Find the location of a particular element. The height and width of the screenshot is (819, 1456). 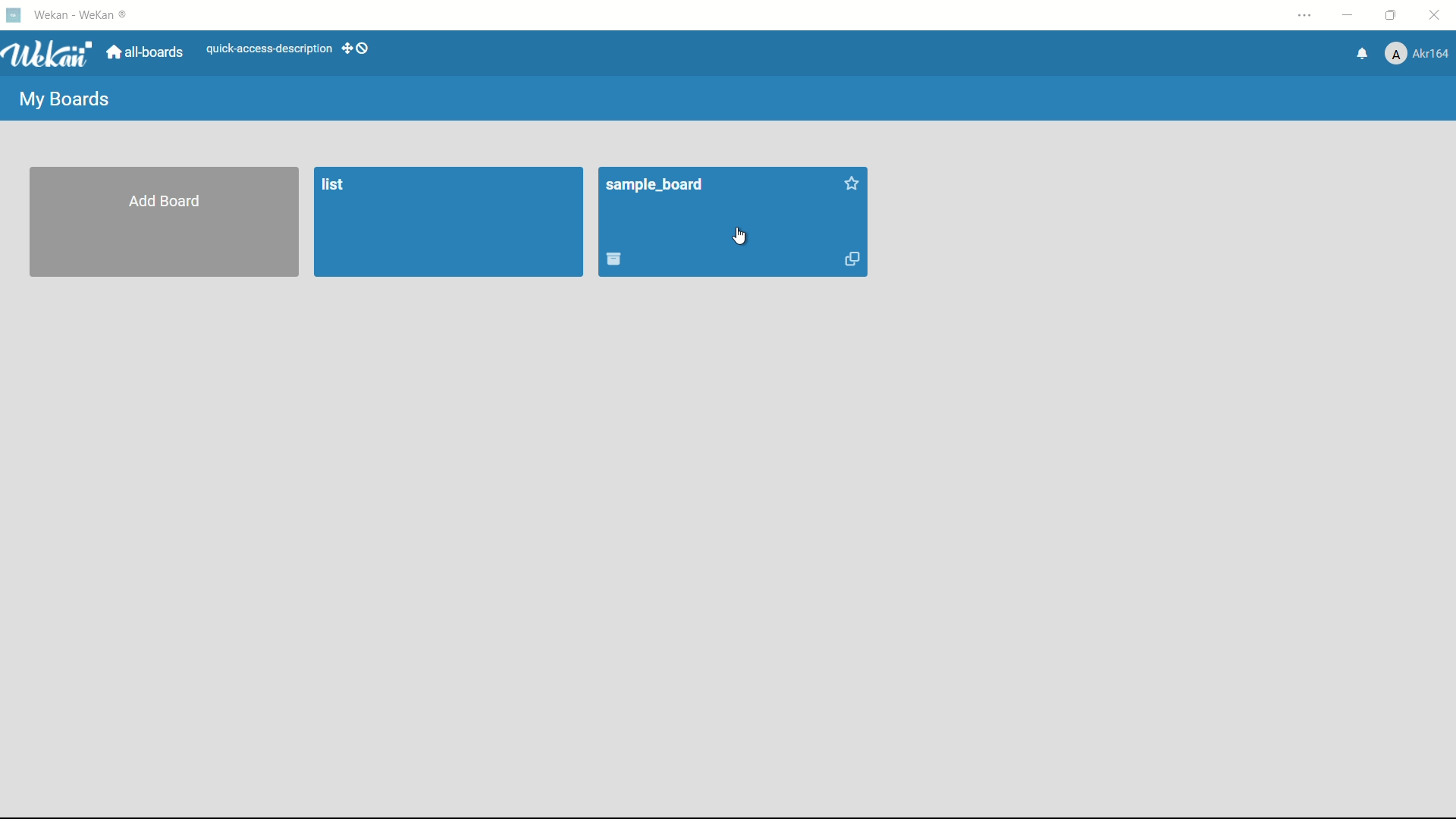

archive is located at coordinates (615, 260).